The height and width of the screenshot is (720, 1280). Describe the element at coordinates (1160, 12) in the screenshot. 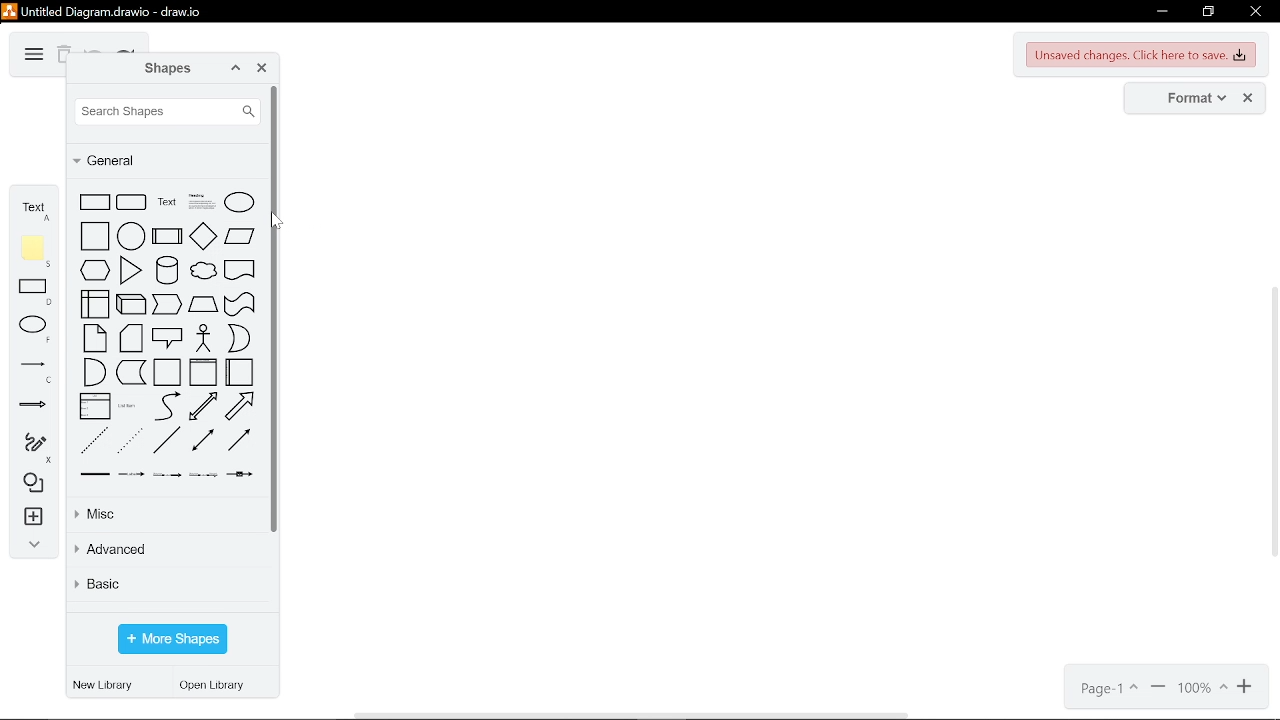

I see `minimize` at that location.